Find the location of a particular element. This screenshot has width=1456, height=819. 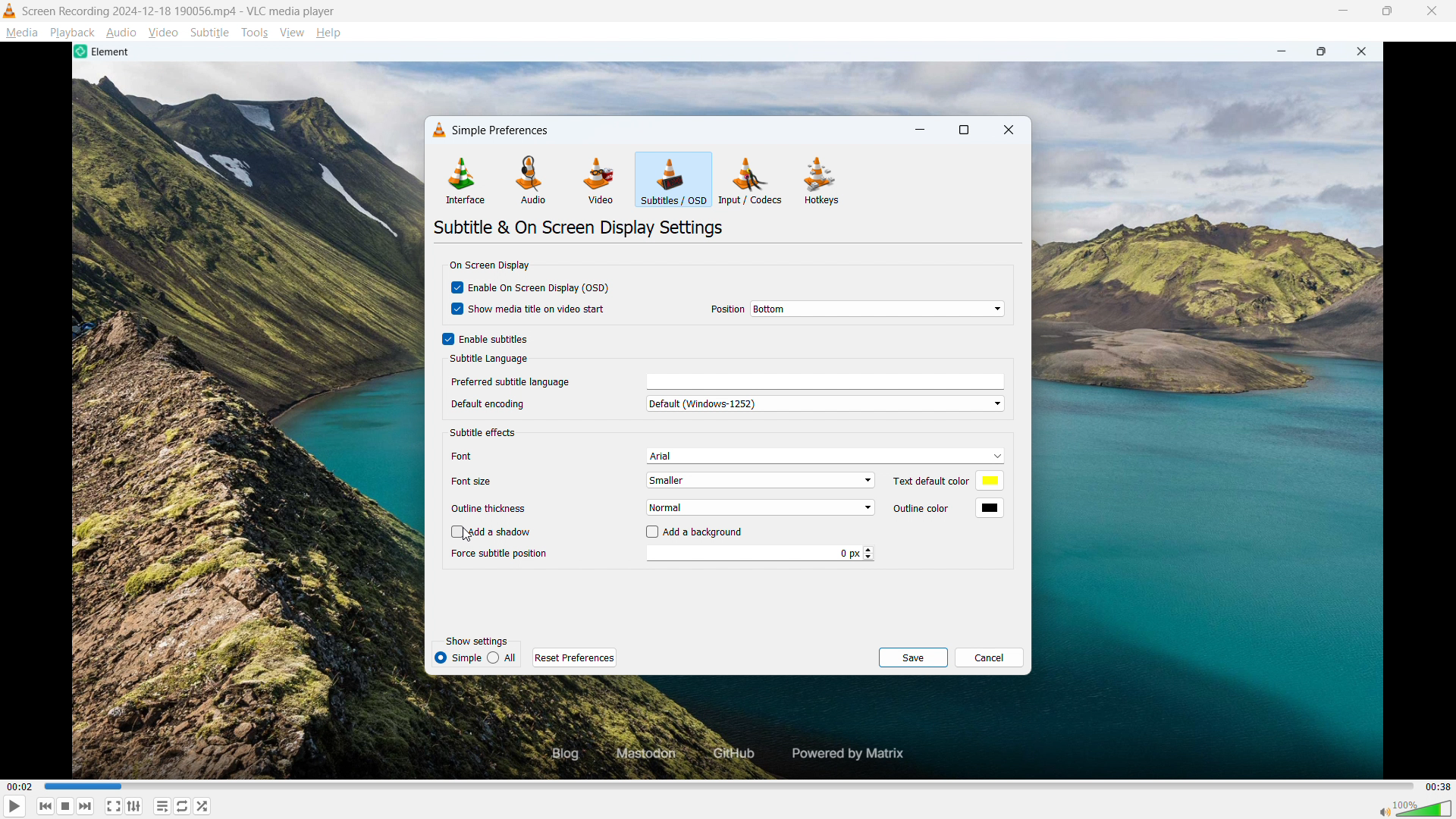

close is located at coordinates (1366, 52).